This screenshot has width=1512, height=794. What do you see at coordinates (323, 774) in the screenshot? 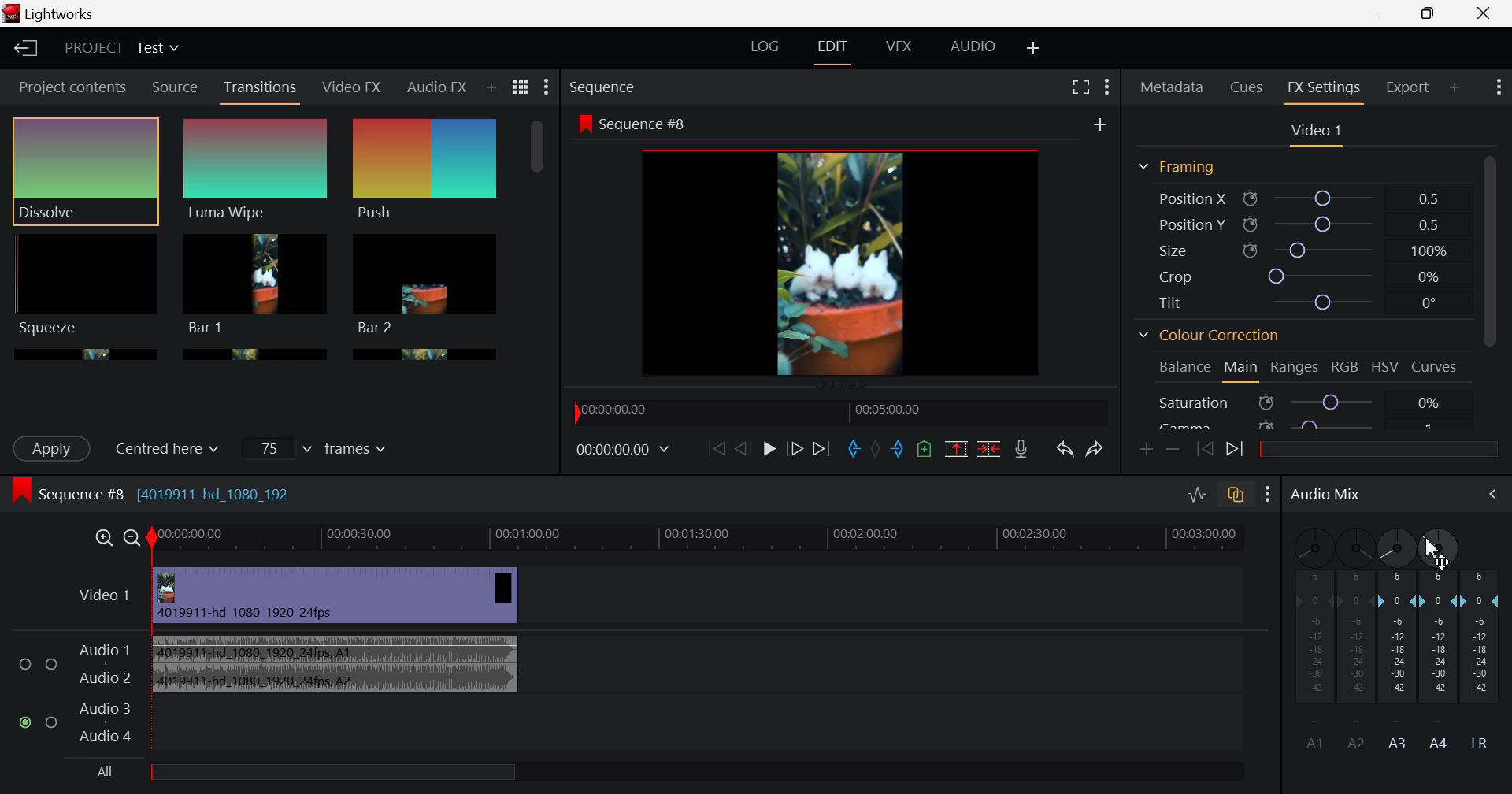
I see `All` at bounding box center [323, 774].